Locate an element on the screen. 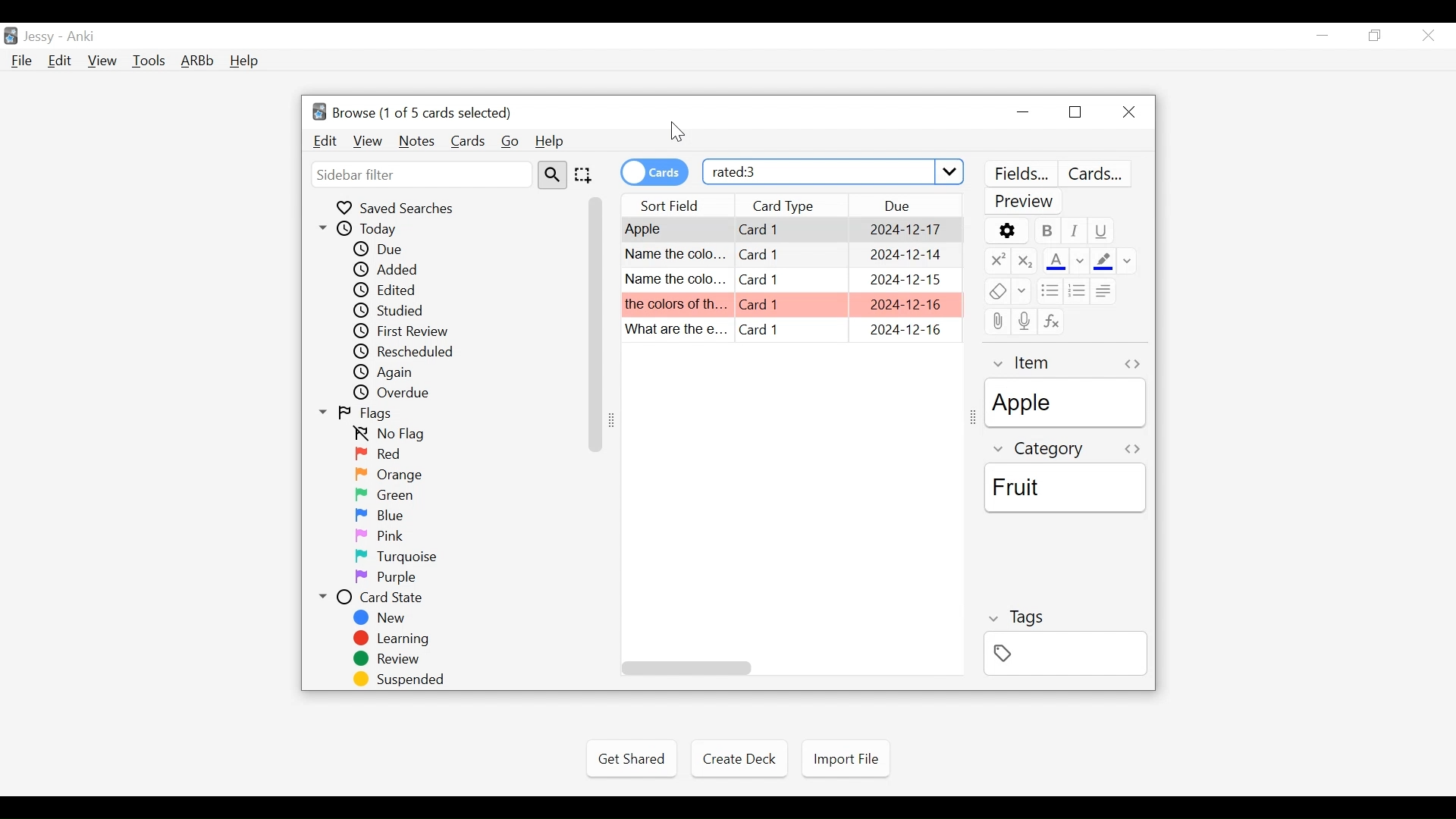 This screenshot has width=1456, height=819. Blue is located at coordinates (388, 516).